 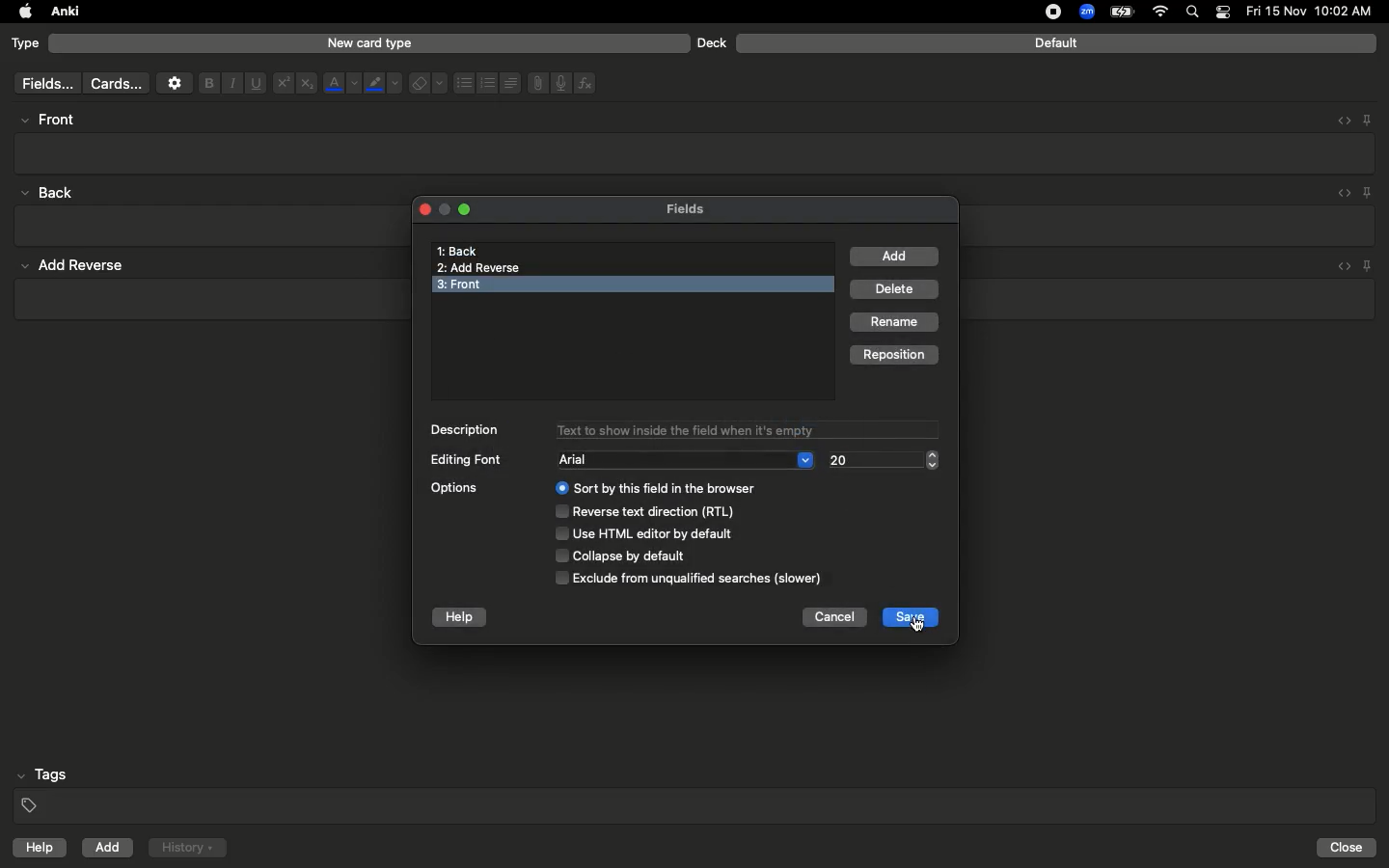 I want to click on fields, so click(x=42, y=84).